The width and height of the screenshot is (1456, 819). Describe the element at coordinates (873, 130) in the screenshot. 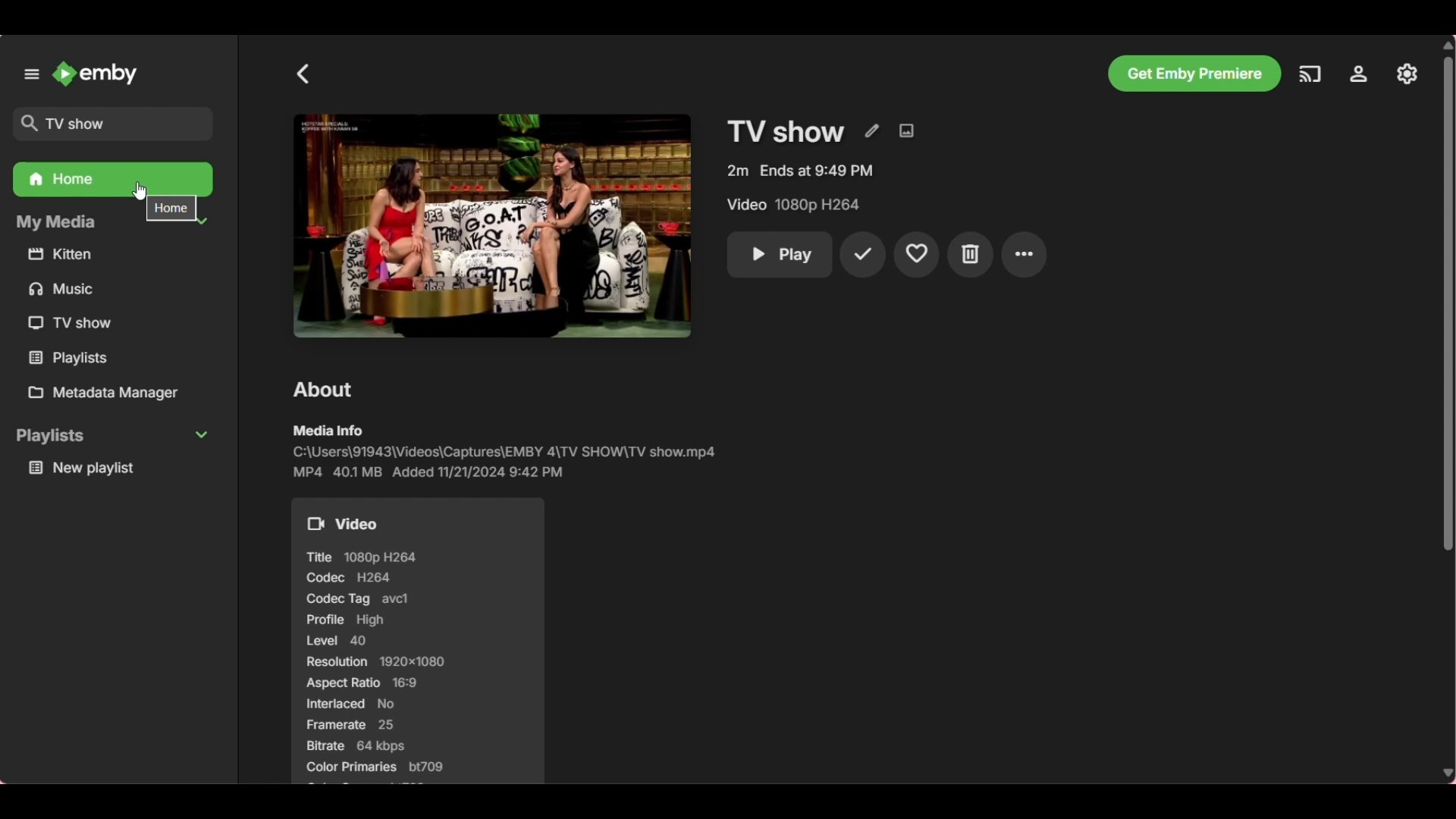

I see `Edit metadata` at that location.